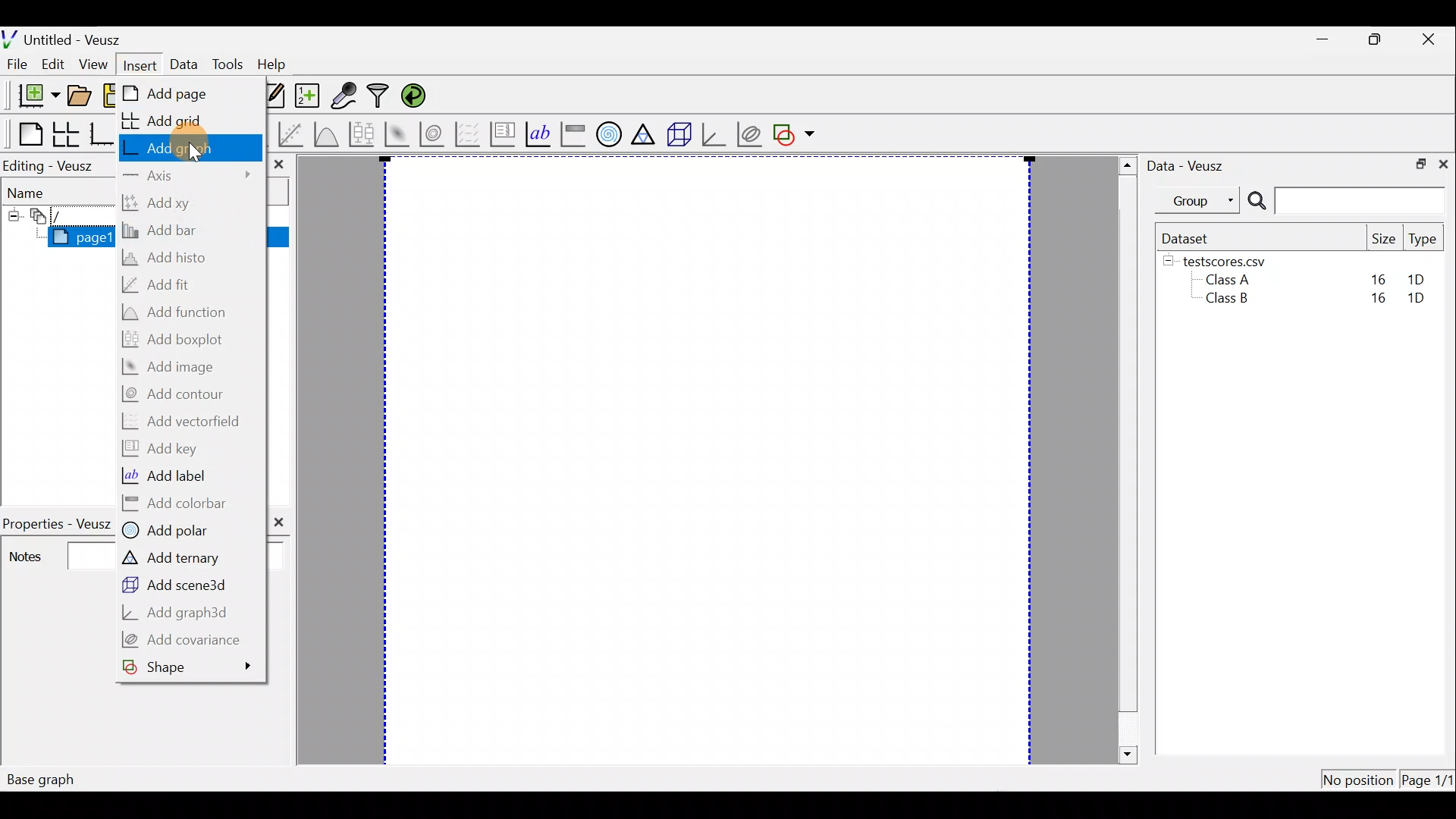 Image resolution: width=1456 pixels, height=819 pixels. Describe the element at coordinates (32, 95) in the screenshot. I see `New document` at that location.